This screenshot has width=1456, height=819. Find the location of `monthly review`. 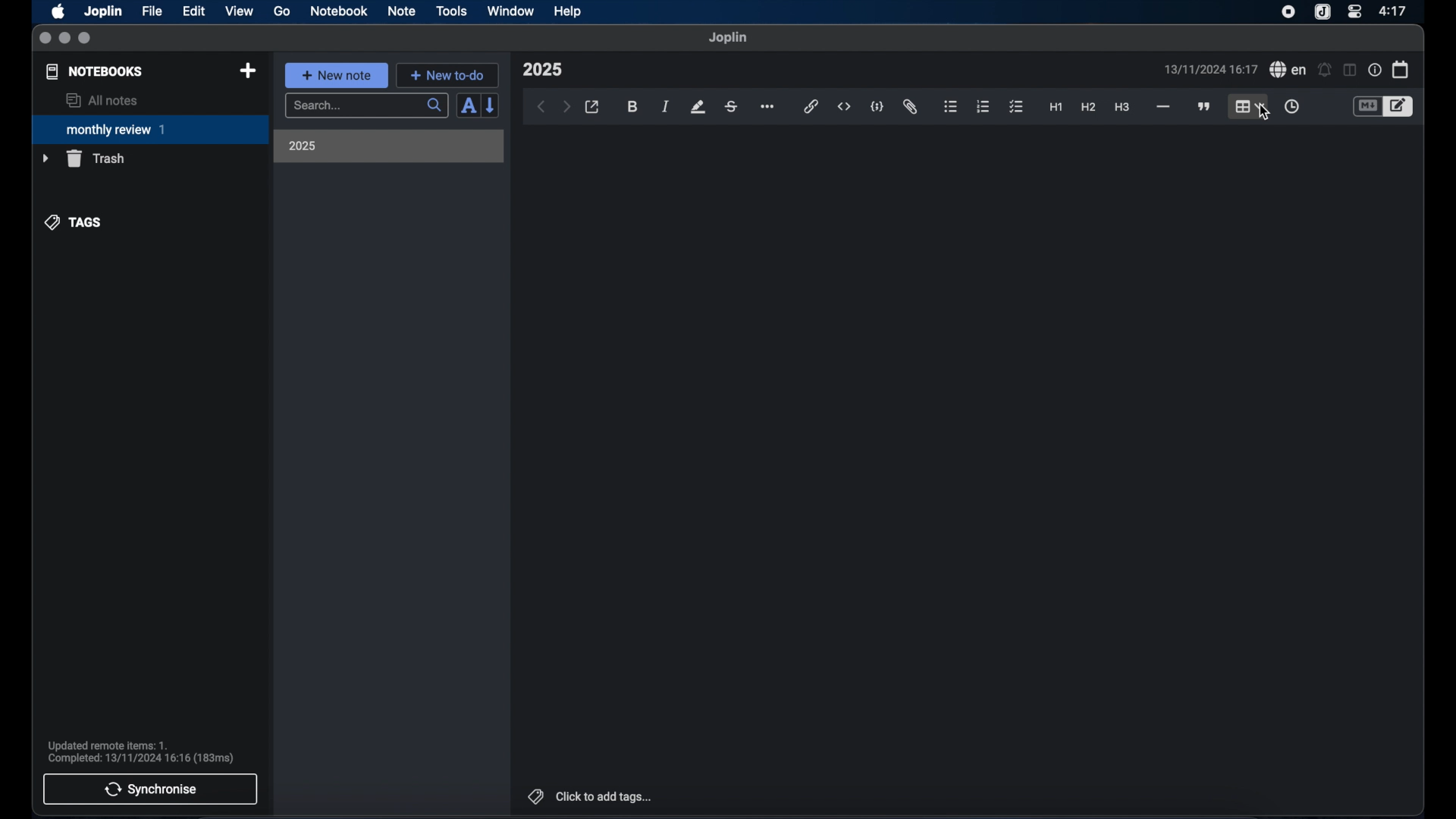

monthly review is located at coordinates (150, 128).